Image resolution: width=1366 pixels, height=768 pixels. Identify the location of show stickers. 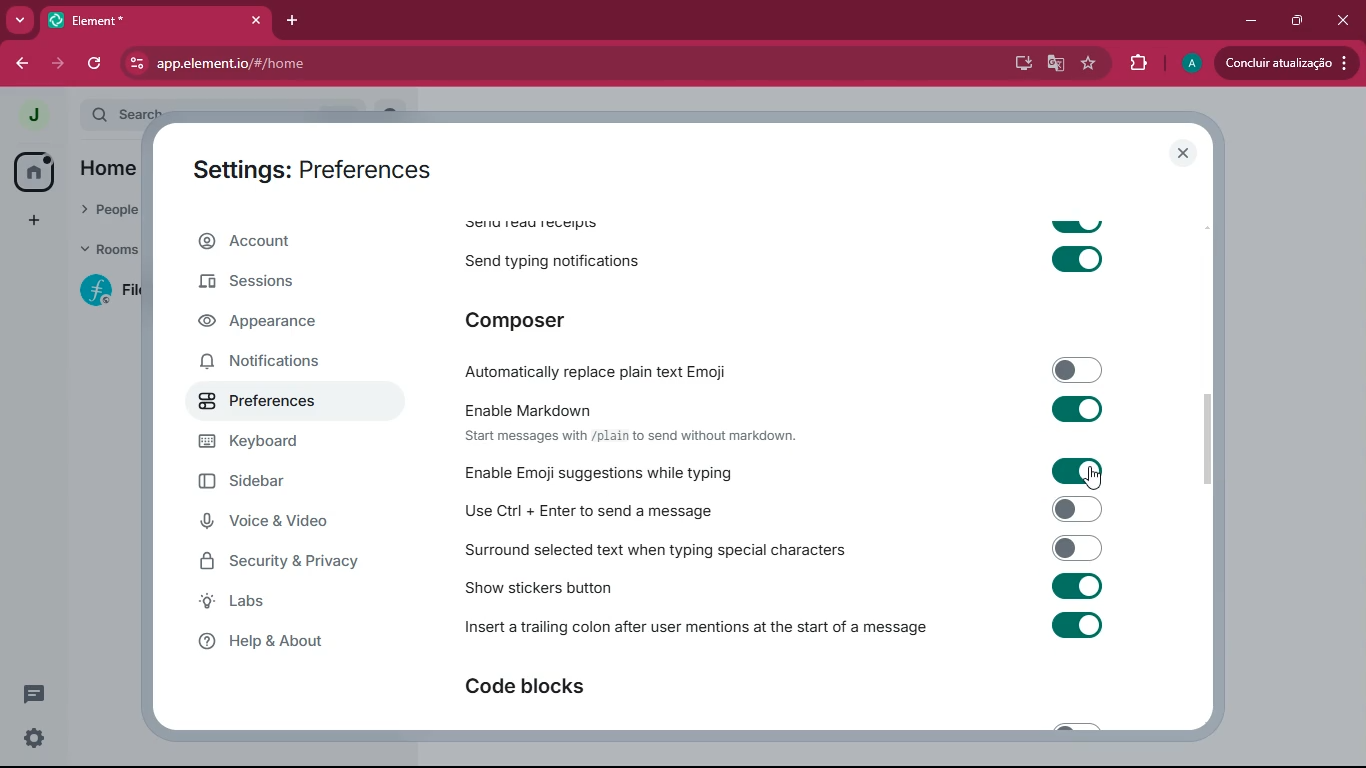
(810, 588).